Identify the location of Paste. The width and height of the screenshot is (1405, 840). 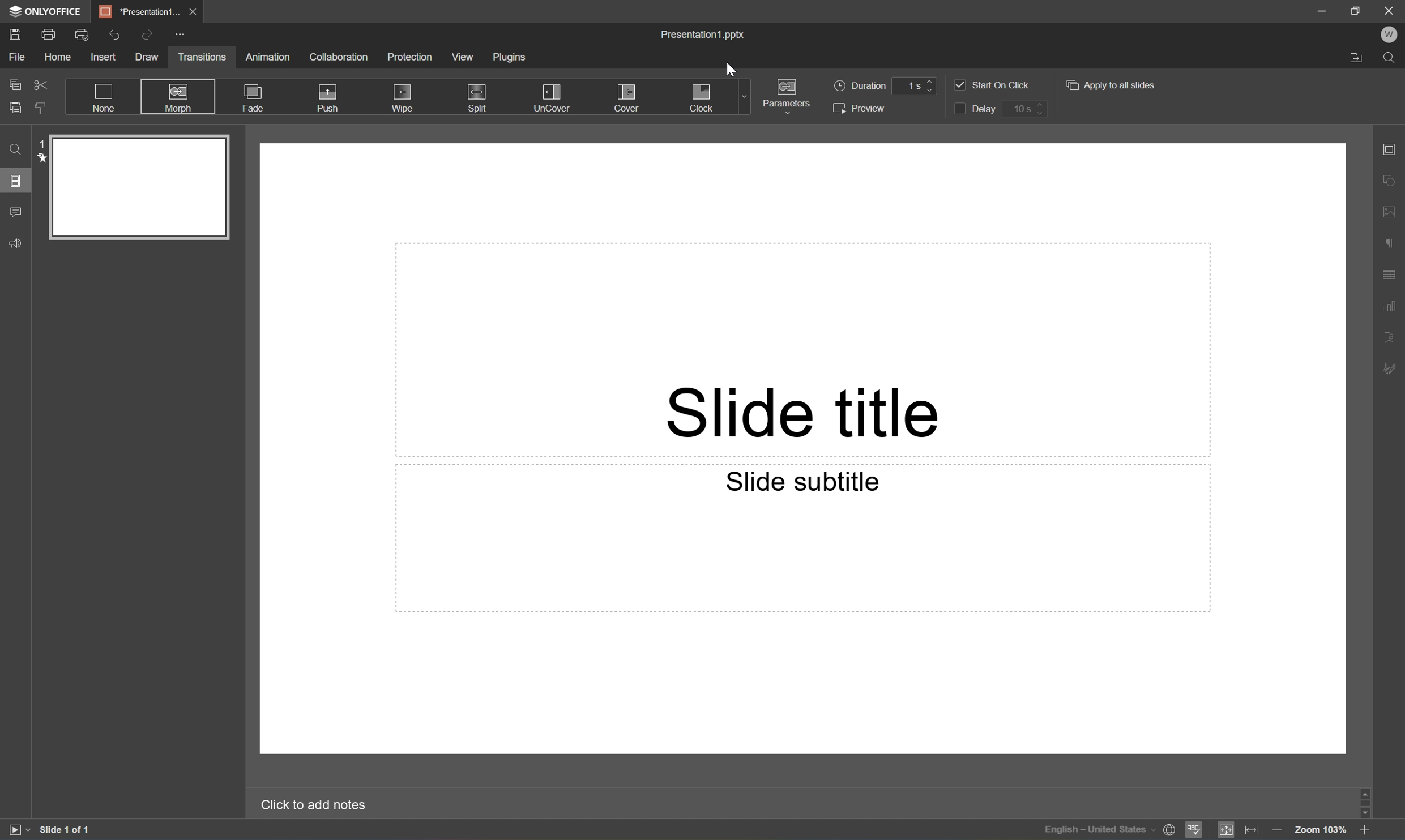
(18, 108).